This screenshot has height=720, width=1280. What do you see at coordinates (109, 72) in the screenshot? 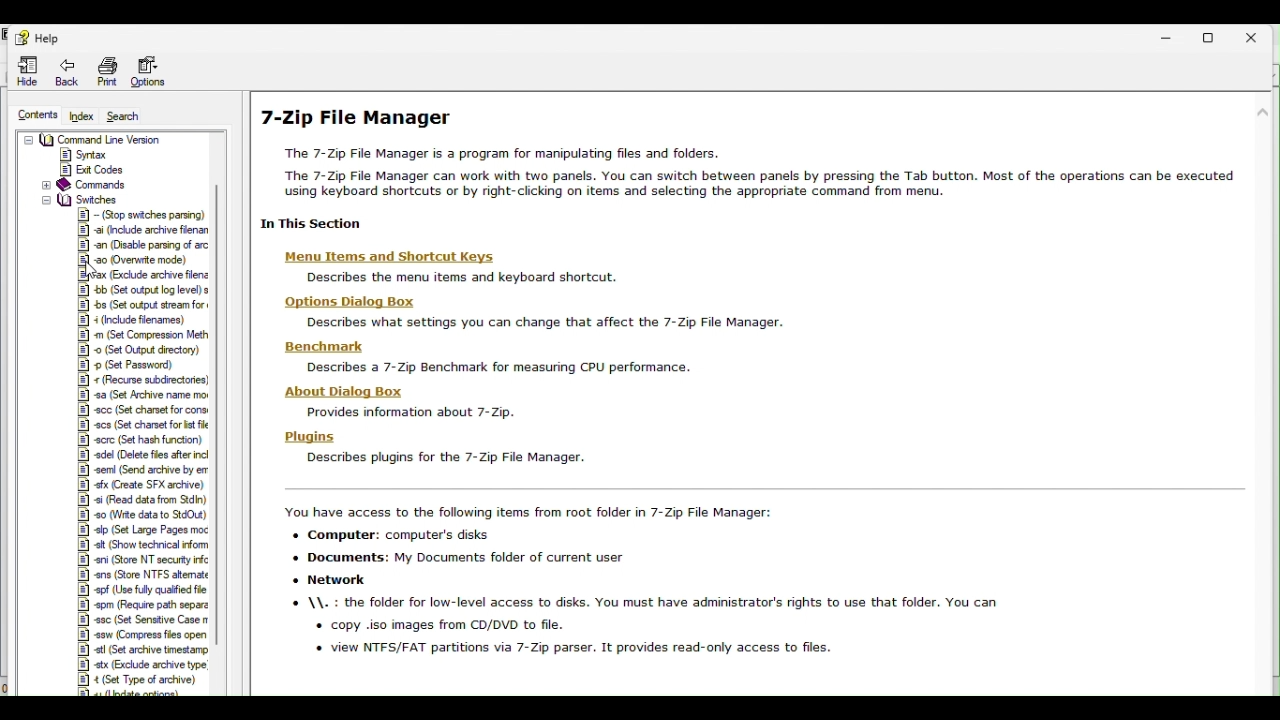
I see `Print` at bounding box center [109, 72].